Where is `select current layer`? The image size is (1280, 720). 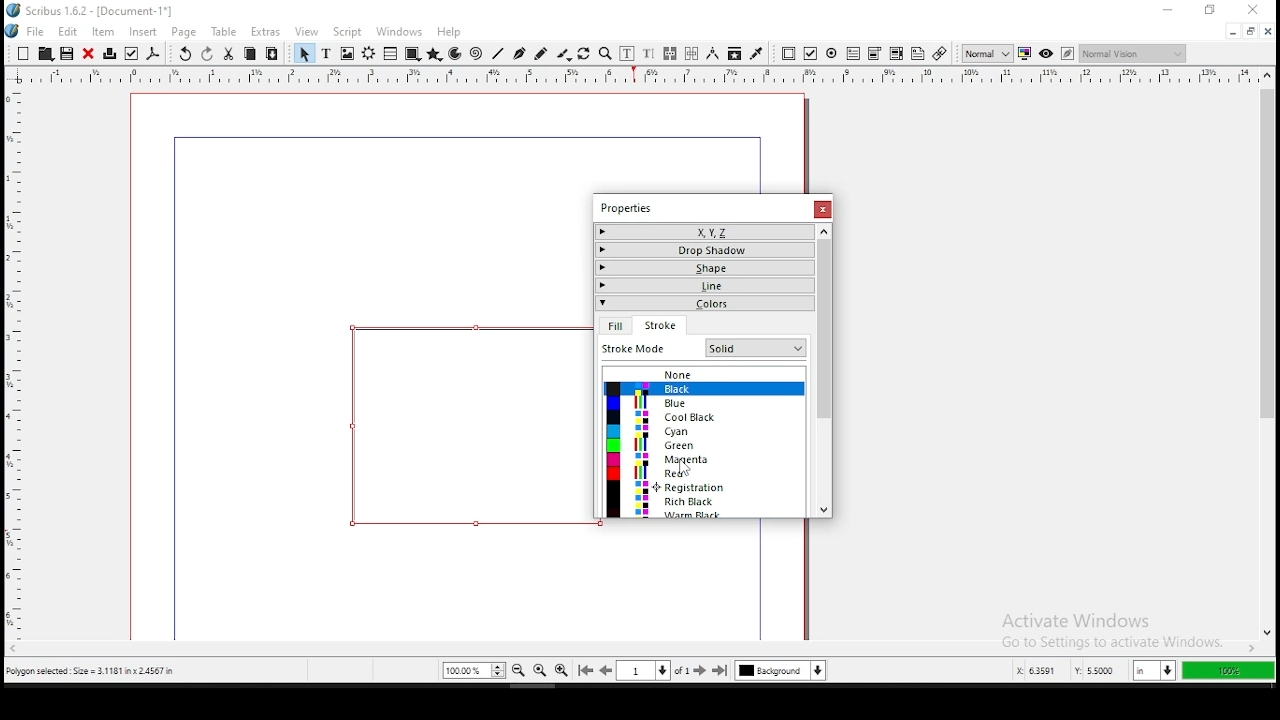
select current layer is located at coordinates (780, 670).